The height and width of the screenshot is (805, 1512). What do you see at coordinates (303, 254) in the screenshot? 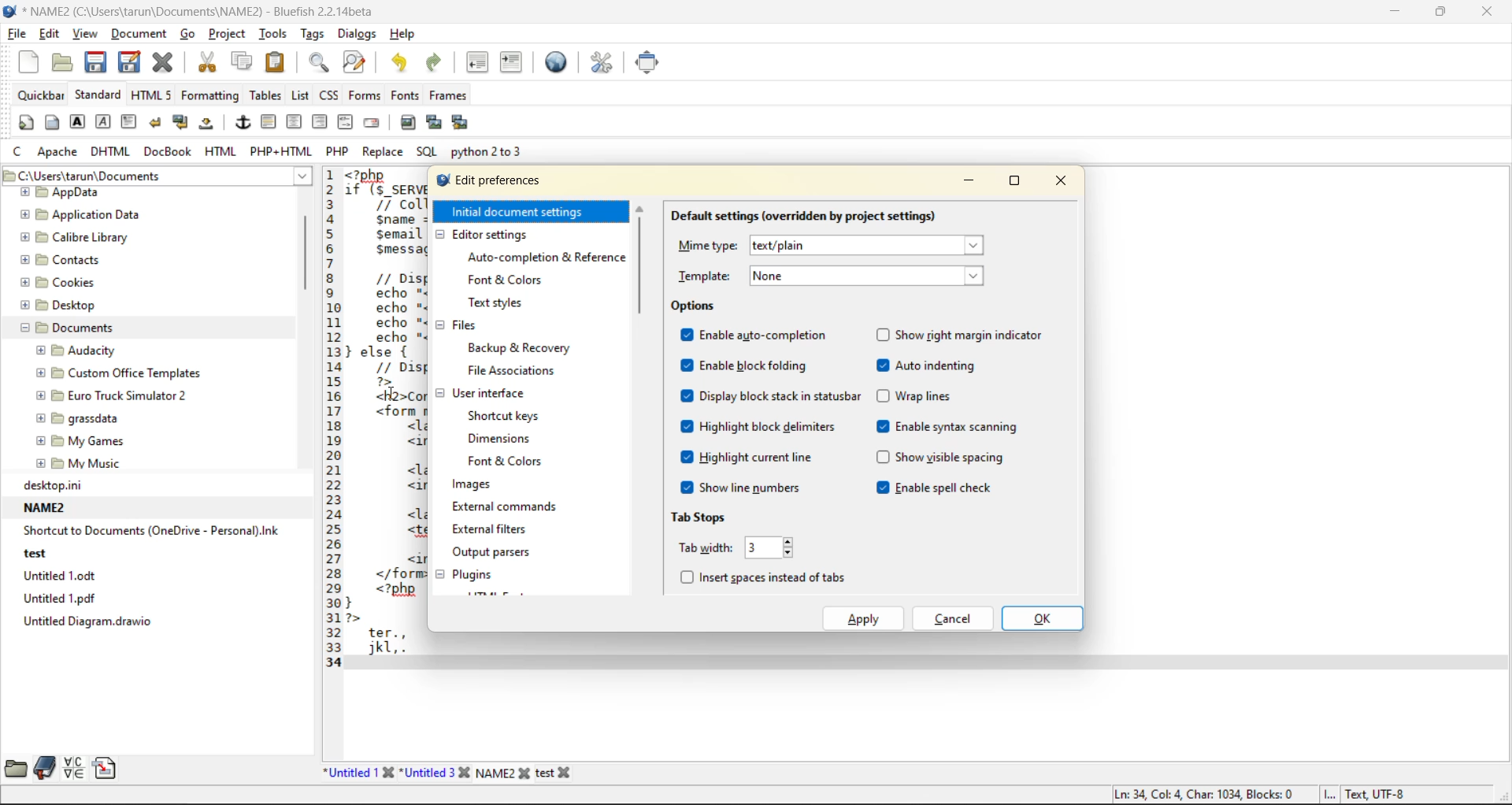
I see `vertical scroll bar` at bounding box center [303, 254].